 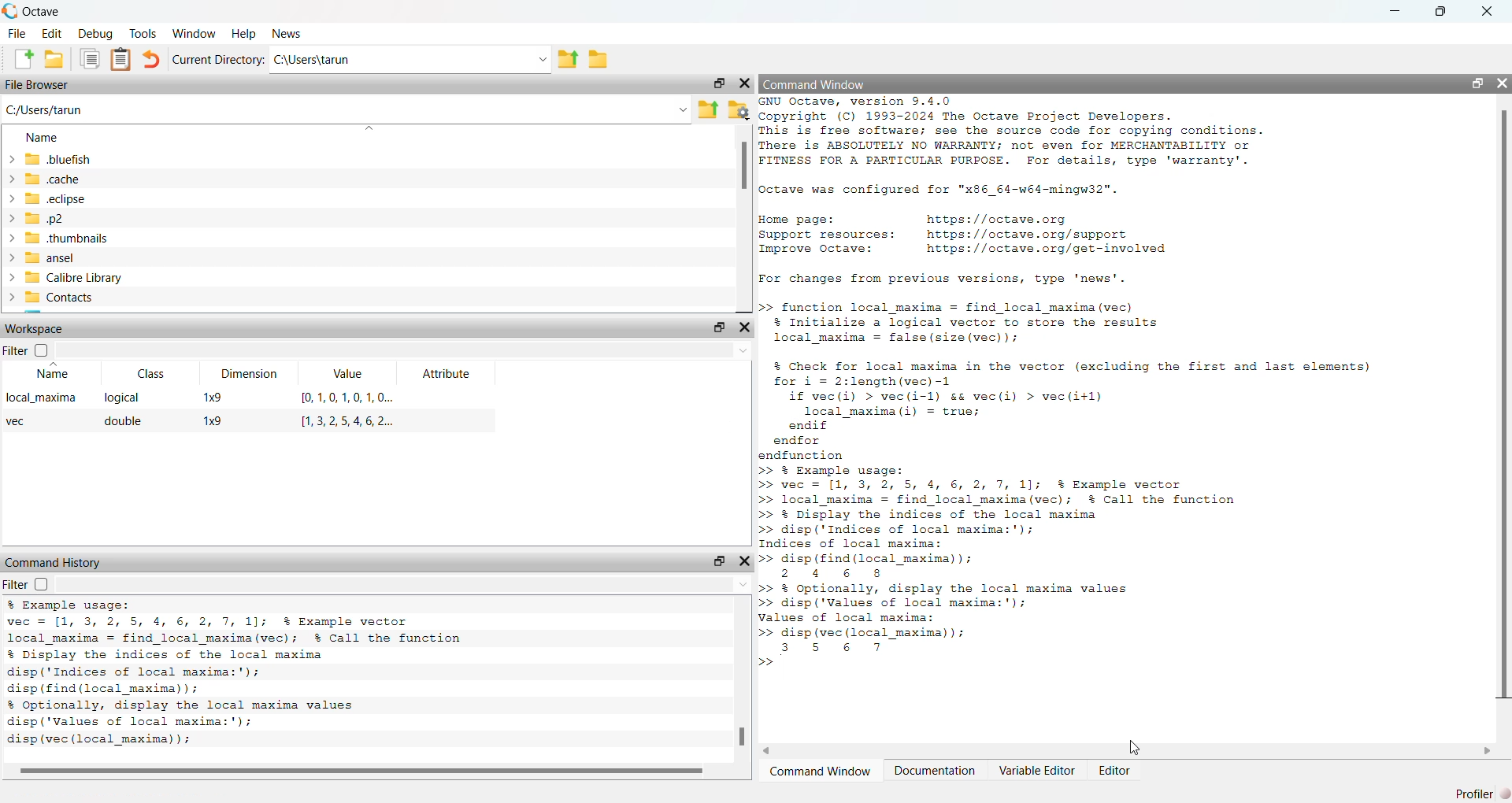 I want to click on GNU Octave, version 35.4.0
Copyright (C) 1993-2024 The Octave Project Developers.

This is free software; see the source code for copying conditions.
There is ABSOLUTELY NO WARRANTY; not even for MERCHANTABILITY or
FITNESS FOR A PARTICULAR PURPOSE. For details, type 'warranty'.
Octave was configured for "x86_64-w64-mingw32".

Home page: https://octave.org

Support resources:  https://octave.org/support

Improve Octave: https://octave.org/get-involved

For changes from previous versions, type 'news’'., so click(x=1020, y=193).